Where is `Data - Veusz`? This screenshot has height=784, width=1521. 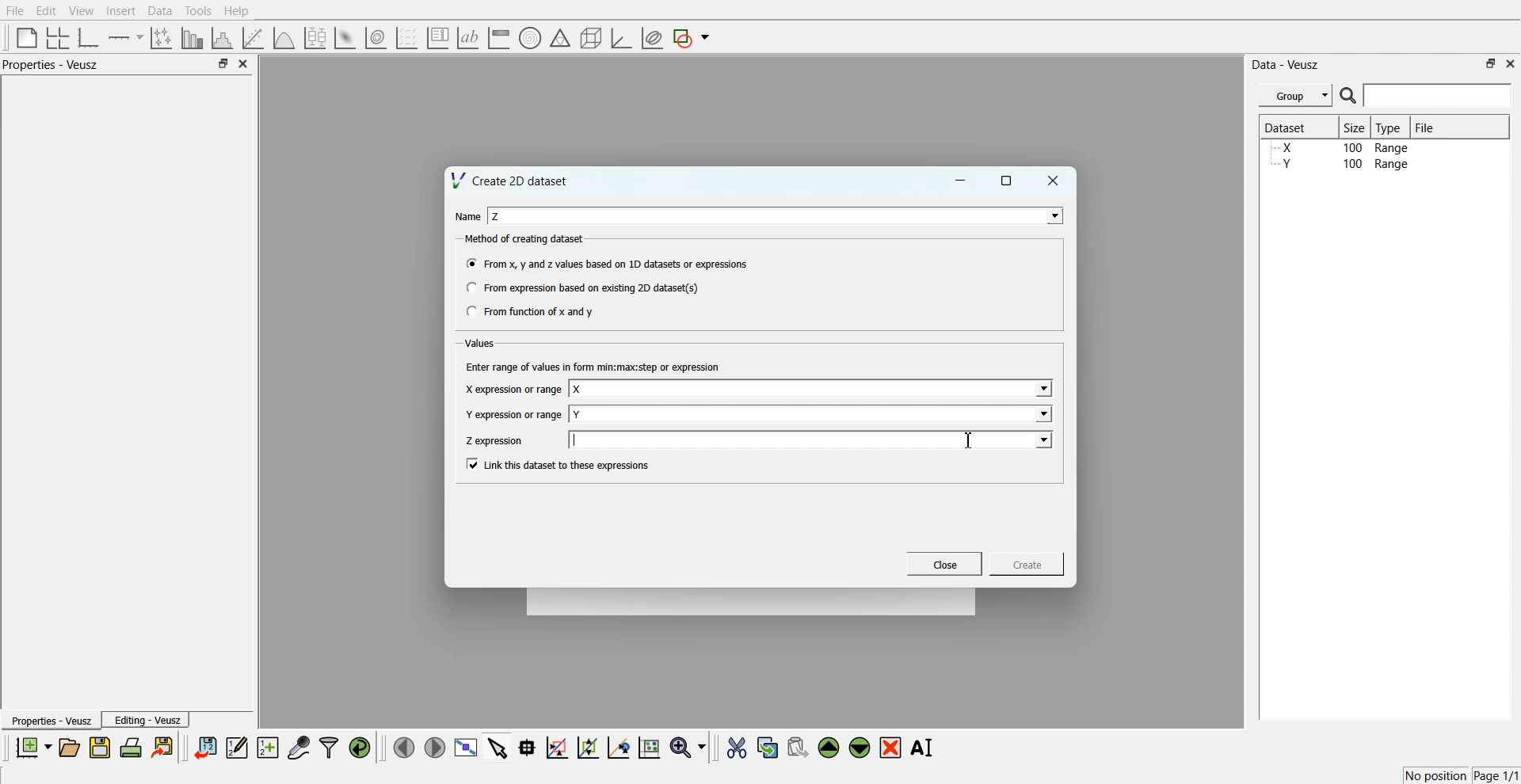
Data - Veusz is located at coordinates (1285, 65).